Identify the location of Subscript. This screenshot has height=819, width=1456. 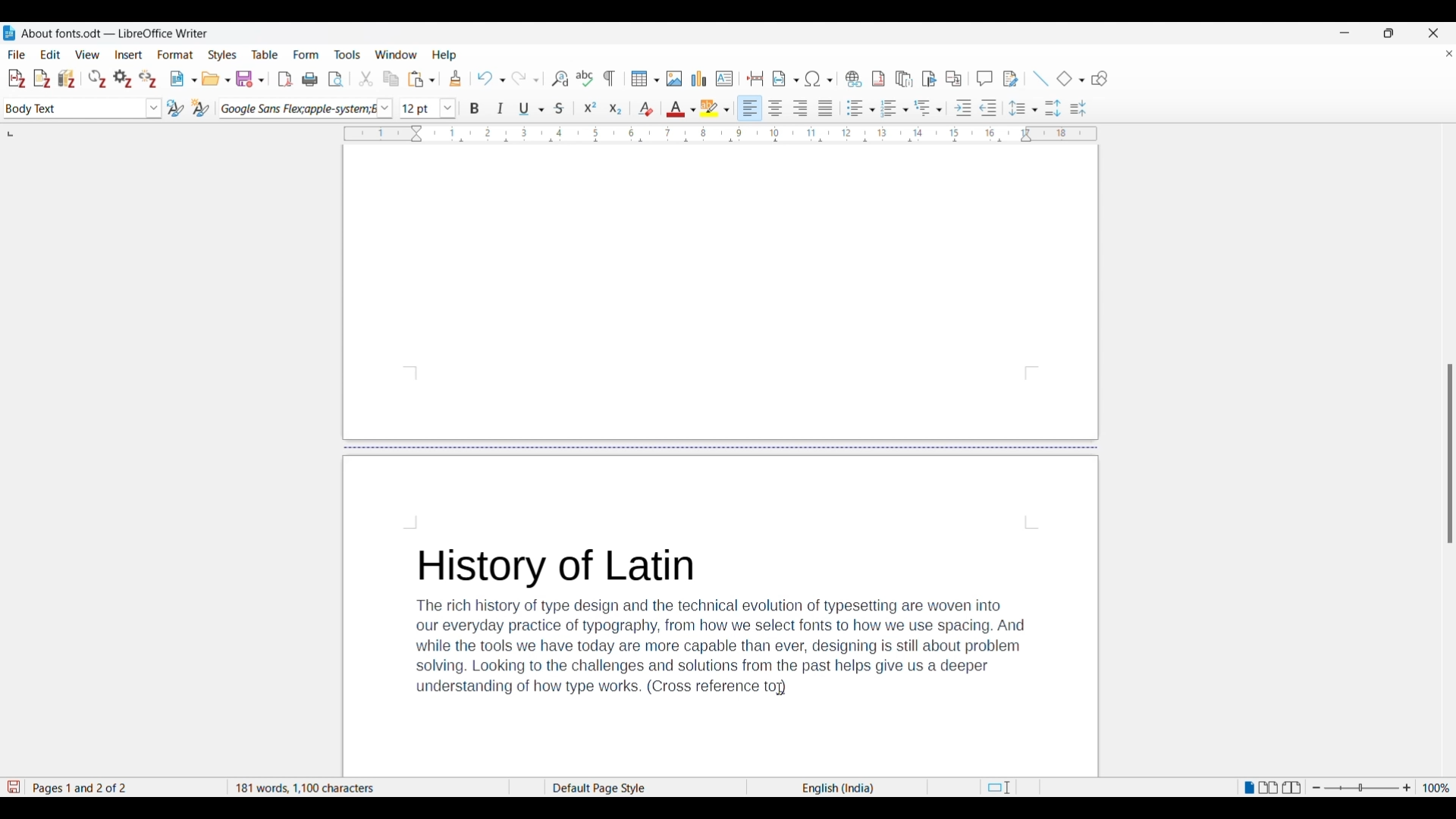
(616, 109).